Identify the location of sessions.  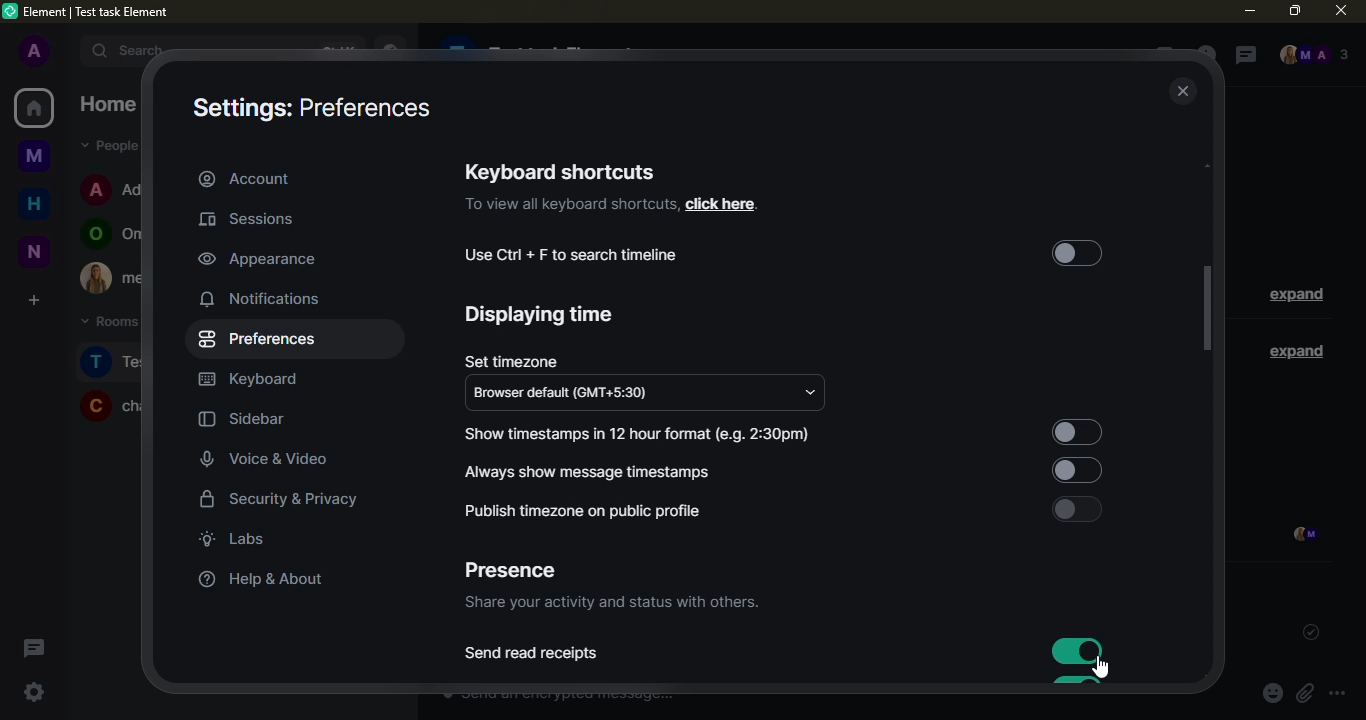
(253, 220).